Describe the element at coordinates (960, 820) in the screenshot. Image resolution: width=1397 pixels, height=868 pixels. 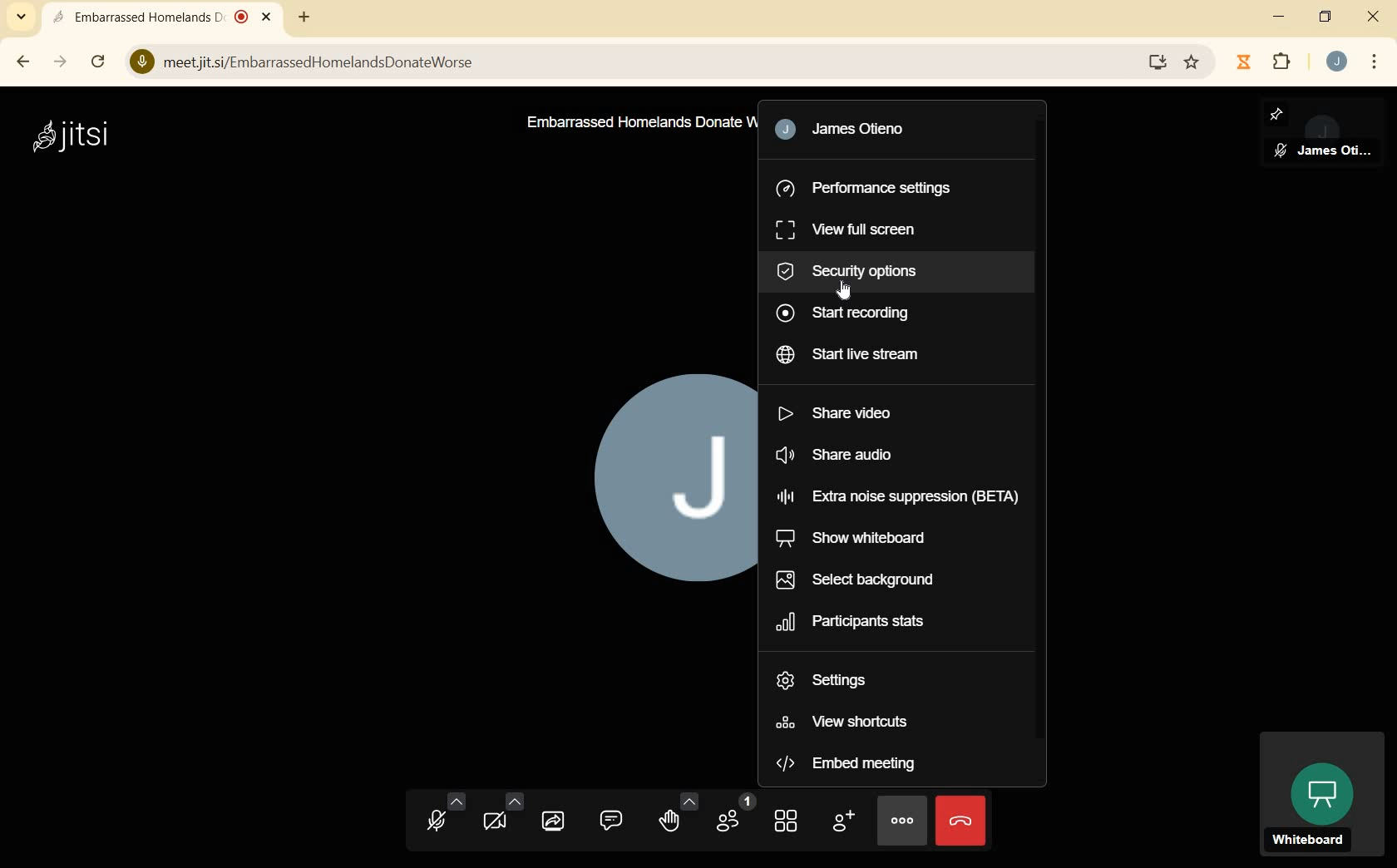
I see `leave meeting` at that location.